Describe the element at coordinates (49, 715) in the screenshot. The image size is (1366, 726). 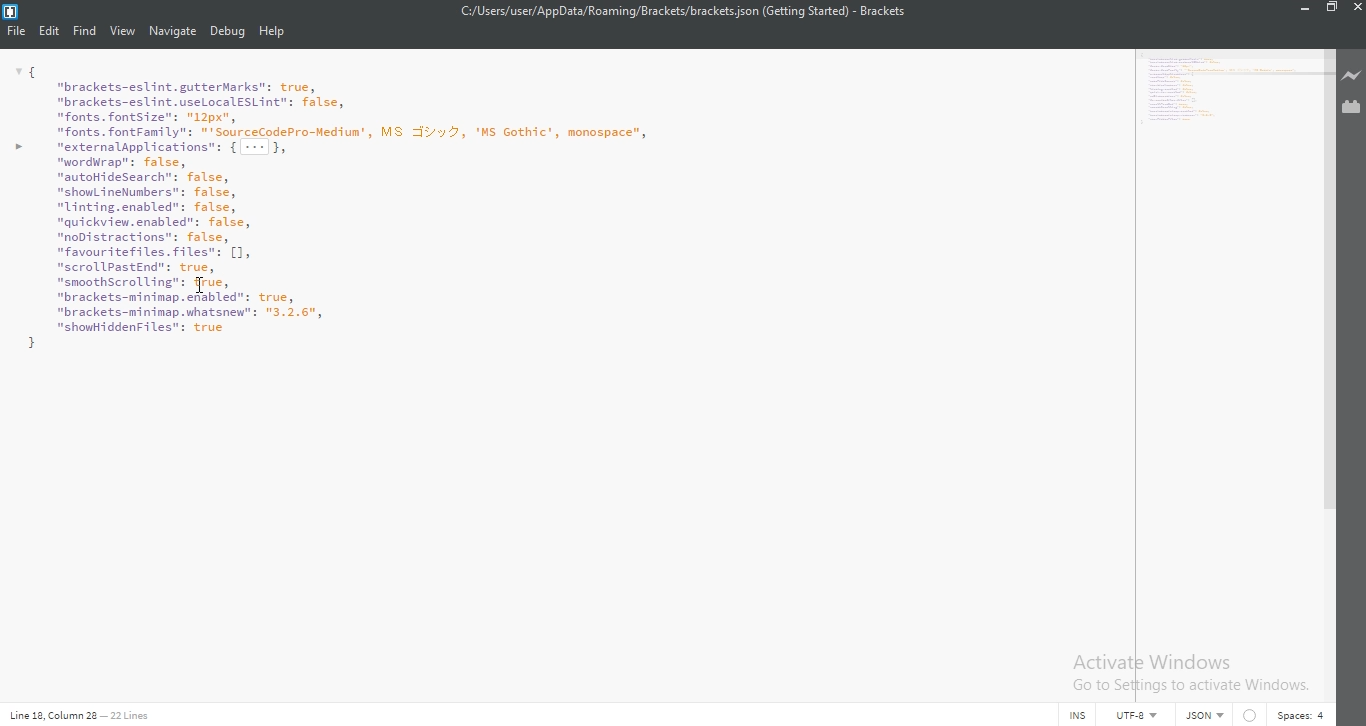
I see `Line 18, column 29` at that location.